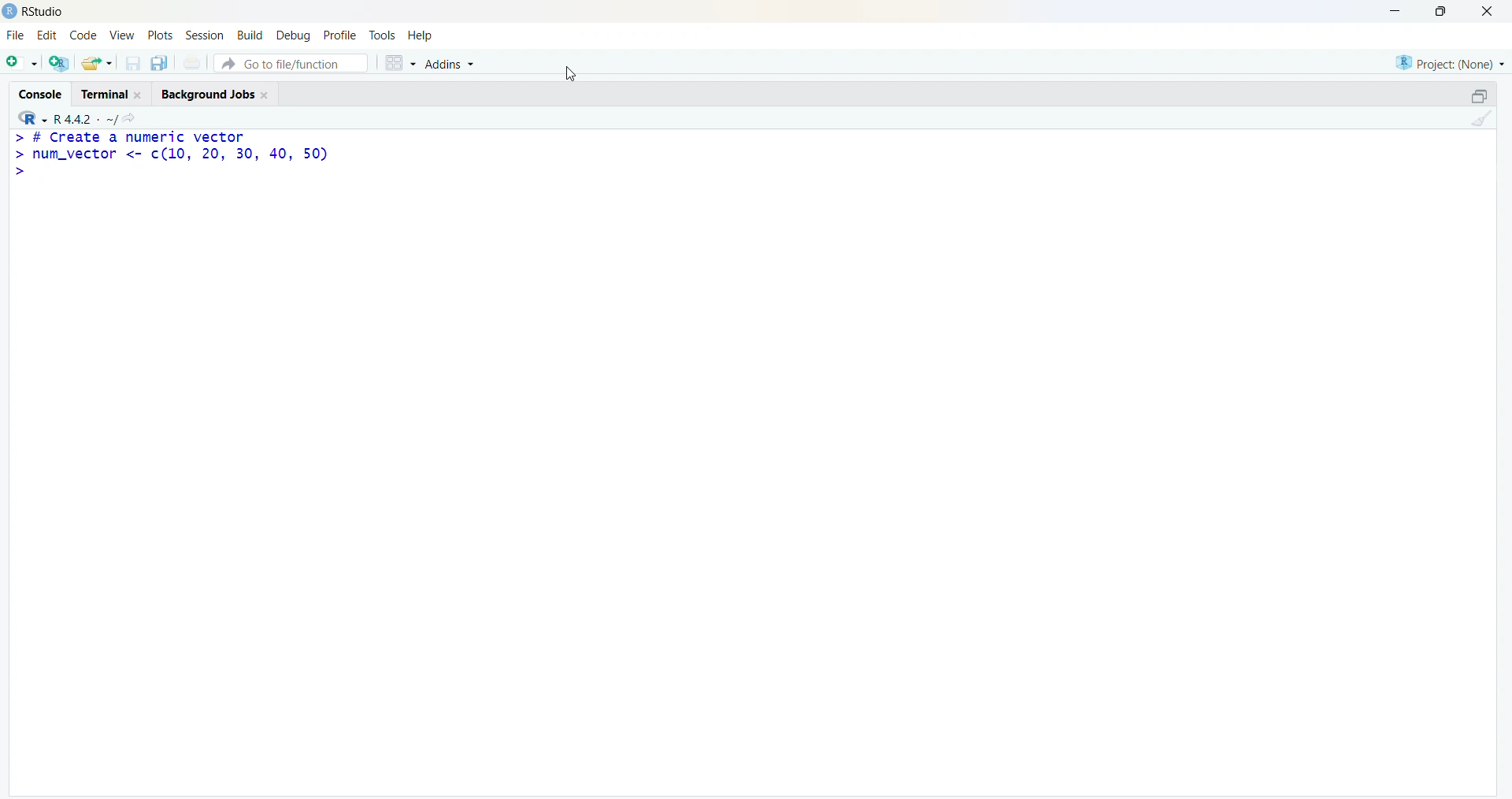  Describe the element at coordinates (60, 64) in the screenshot. I see `add R file` at that location.